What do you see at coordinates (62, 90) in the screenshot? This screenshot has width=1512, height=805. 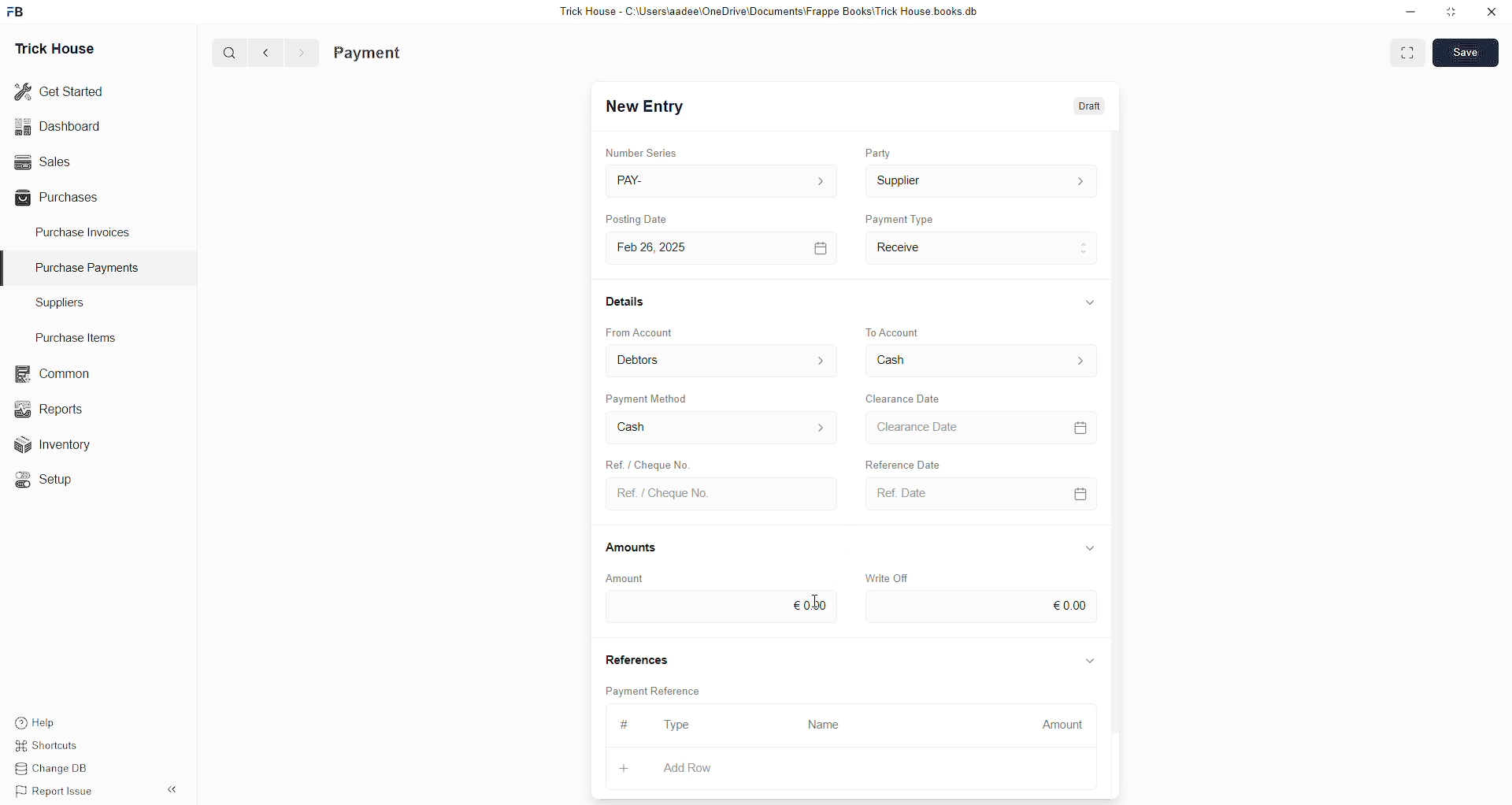 I see `Get Started` at bounding box center [62, 90].